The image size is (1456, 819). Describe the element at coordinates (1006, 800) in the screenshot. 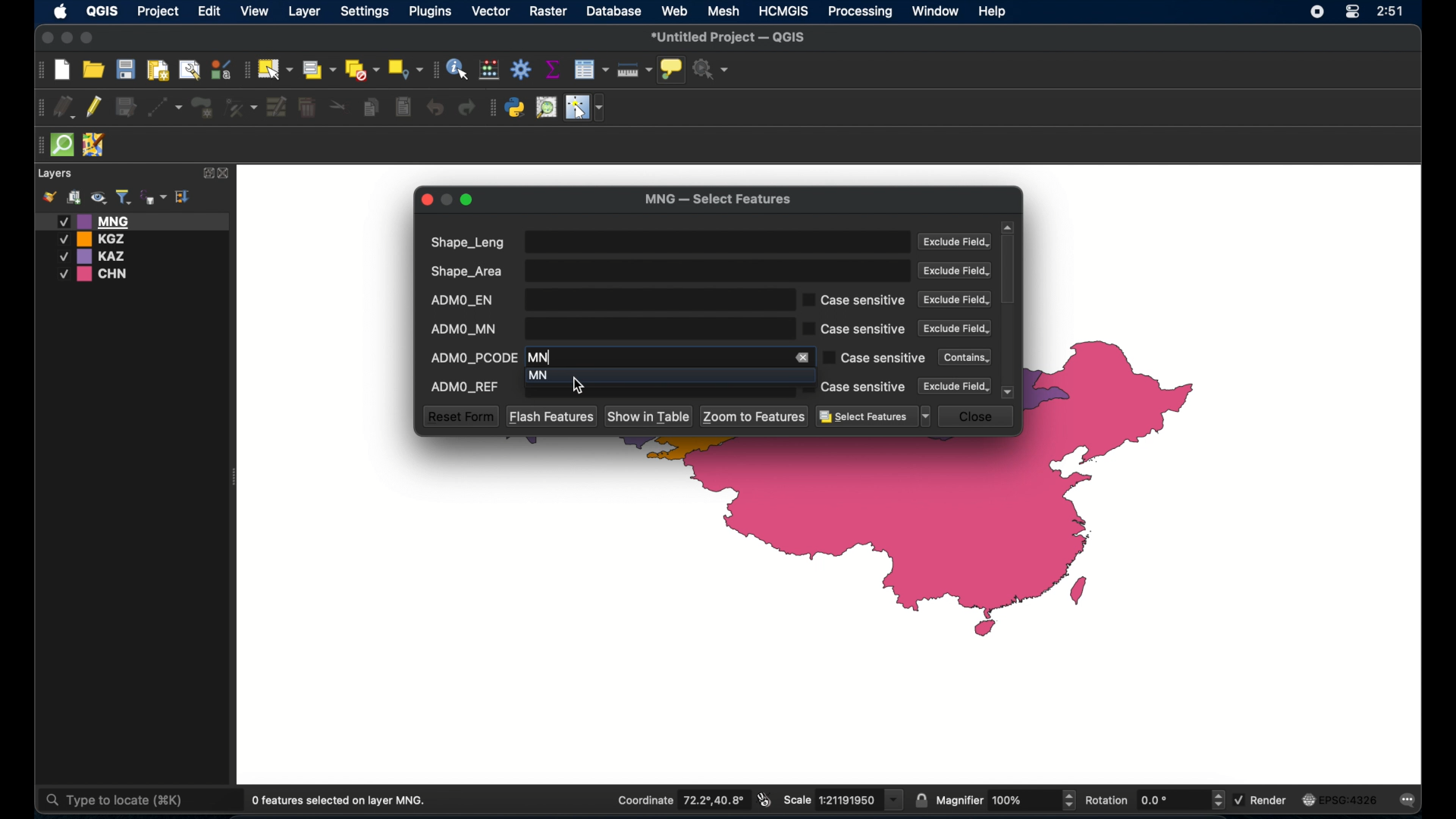

I see `magnifier 100%` at that location.